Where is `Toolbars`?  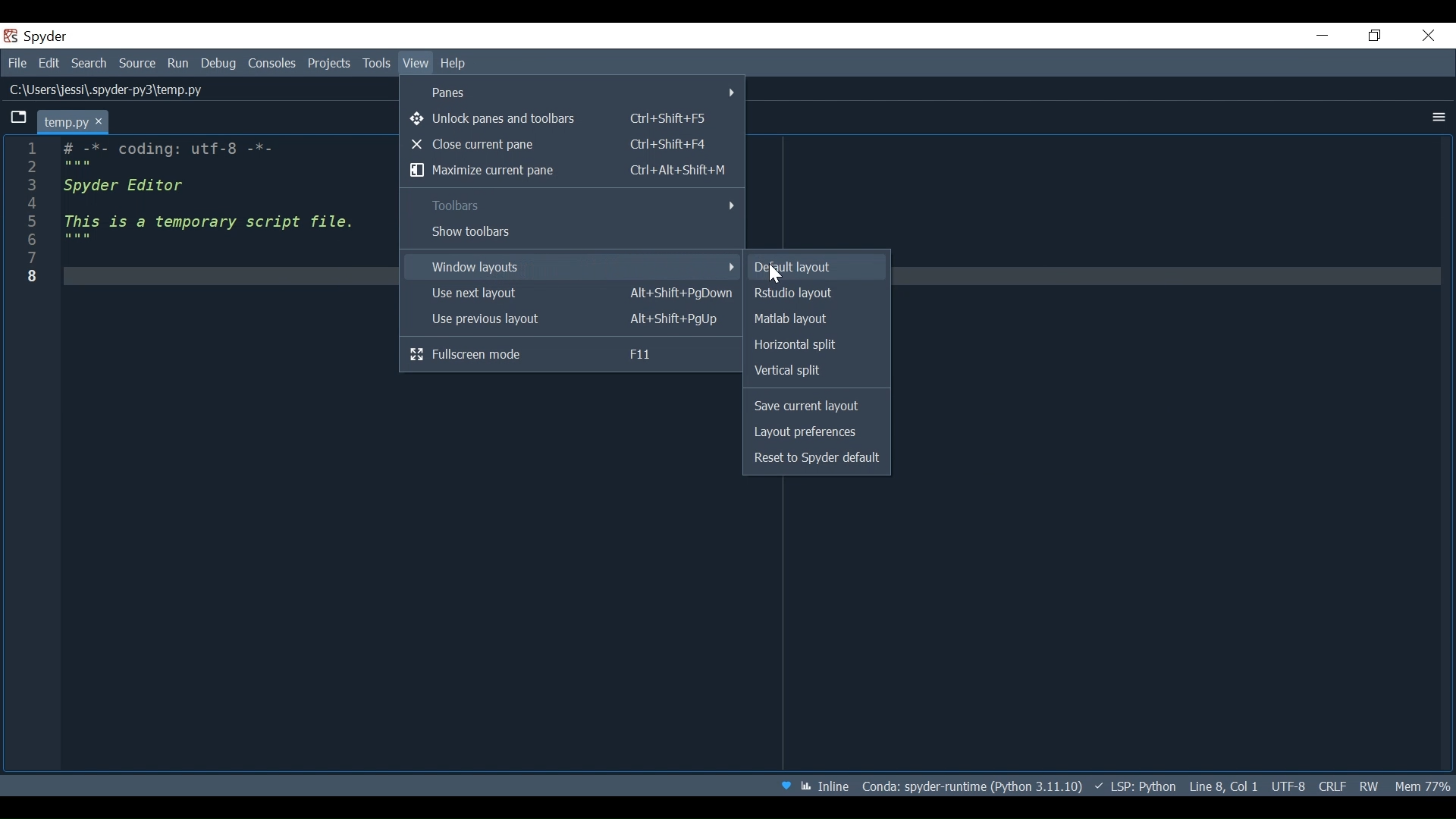
Toolbars is located at coordinates (571, 205).